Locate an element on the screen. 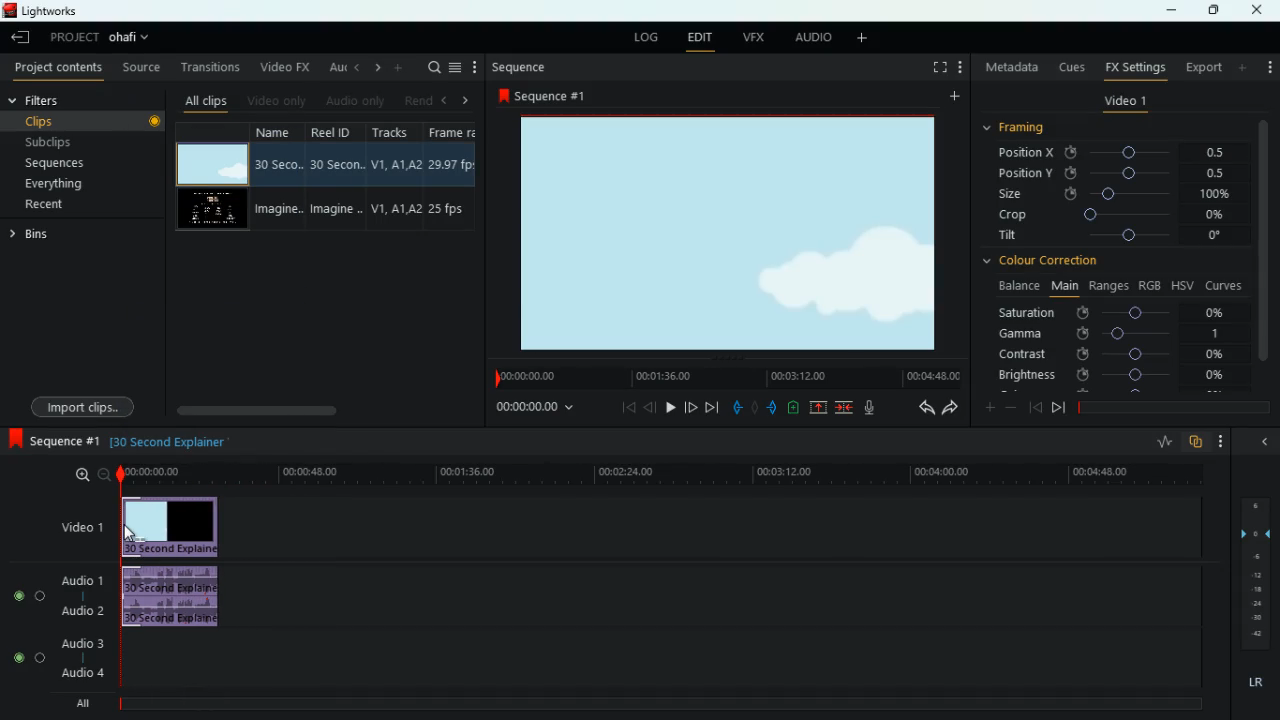  project is located at coordinates (102, 37).